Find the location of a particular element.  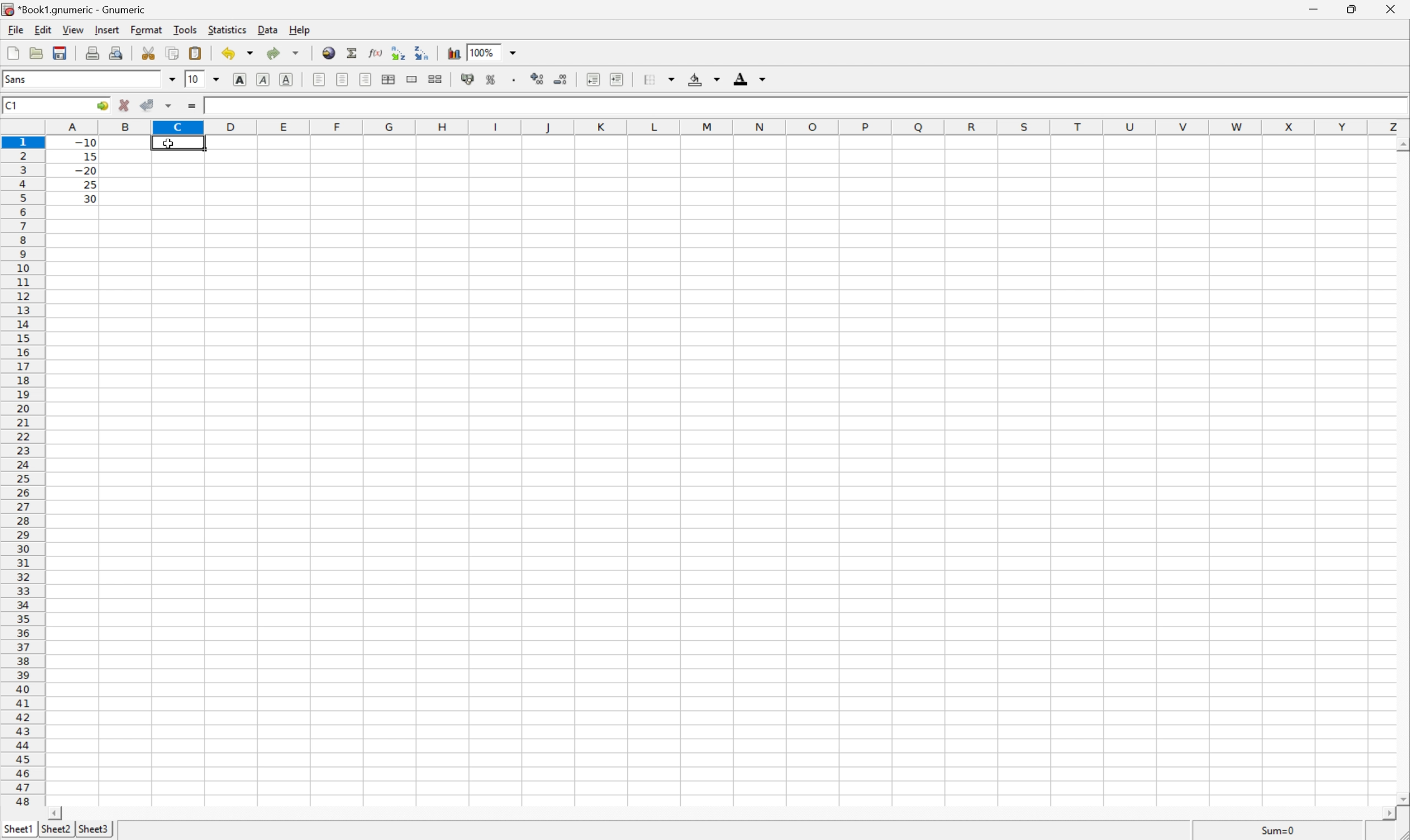

Borders is located at coordinates (647, 79).